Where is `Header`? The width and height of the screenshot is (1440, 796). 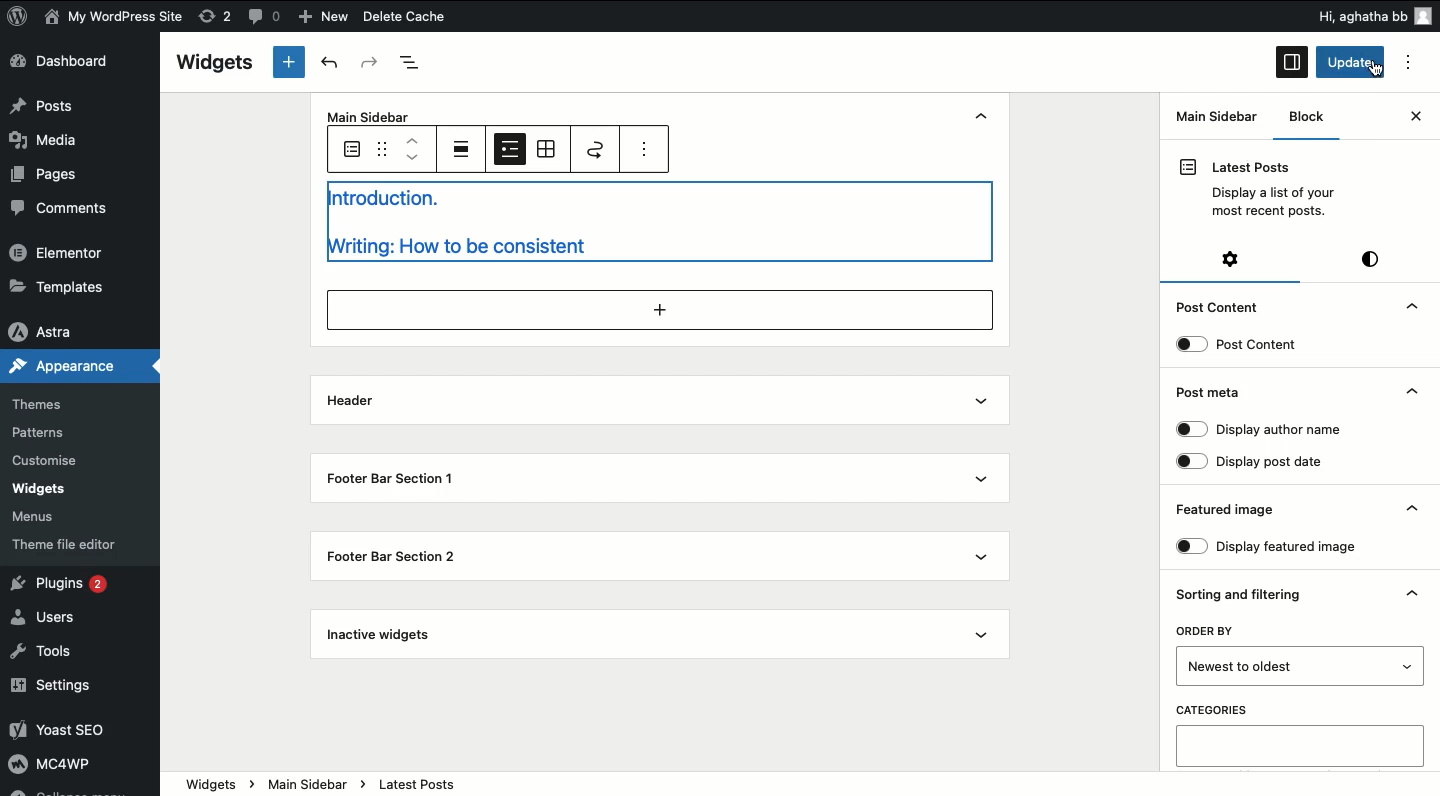 Header is located at coordinates (355, 404).